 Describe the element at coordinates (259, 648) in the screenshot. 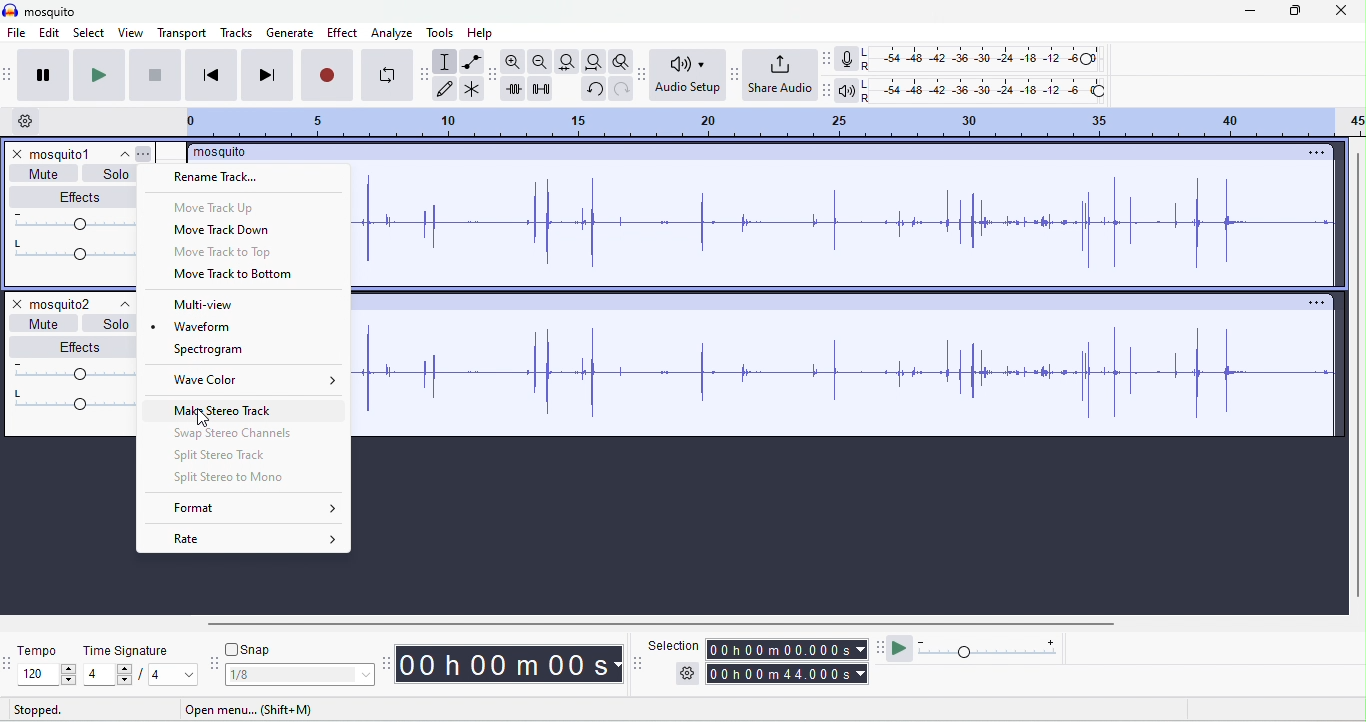

I see `snap` at that location.